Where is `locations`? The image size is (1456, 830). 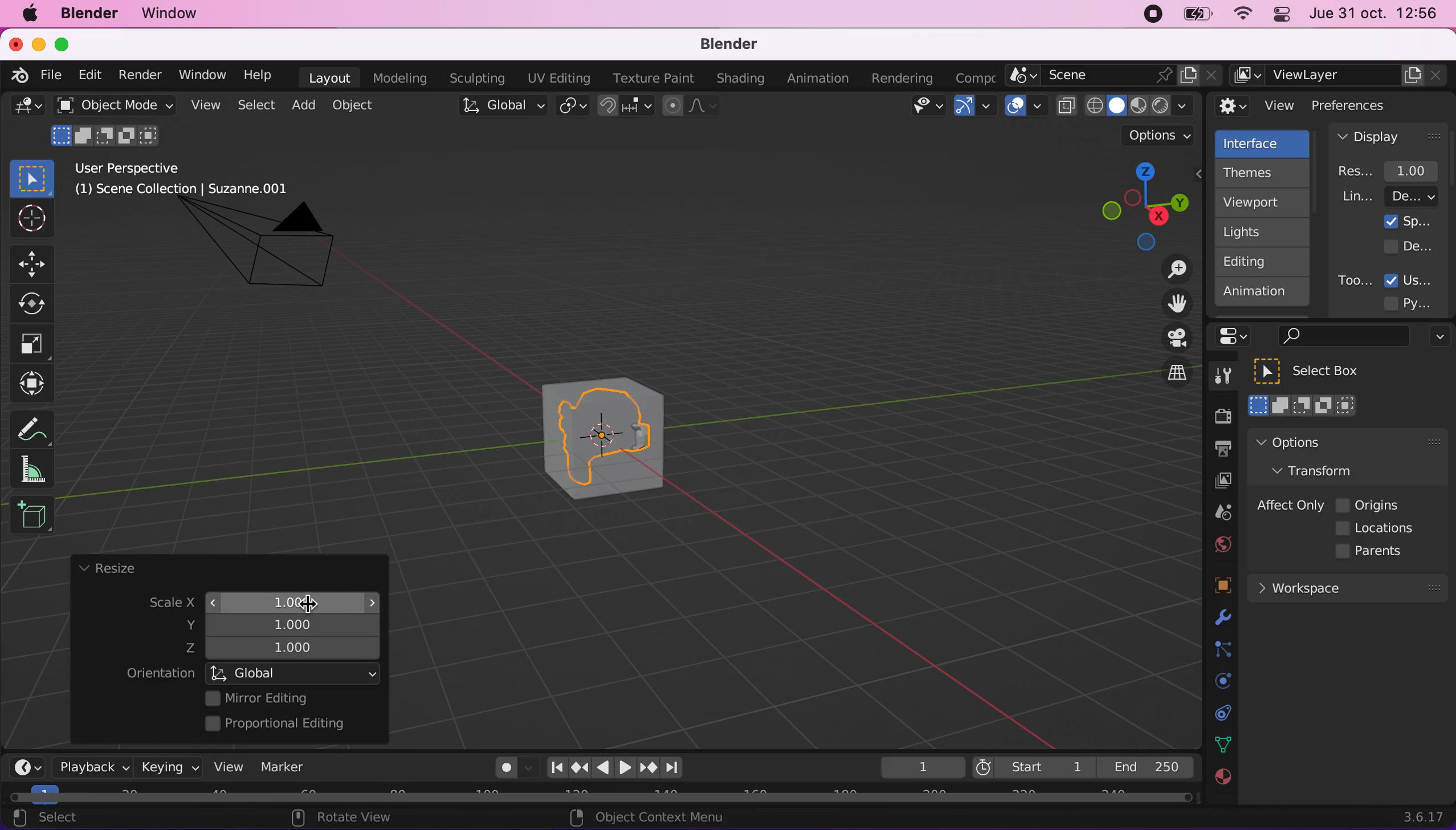 locations is located at coordinates (1378, 528).